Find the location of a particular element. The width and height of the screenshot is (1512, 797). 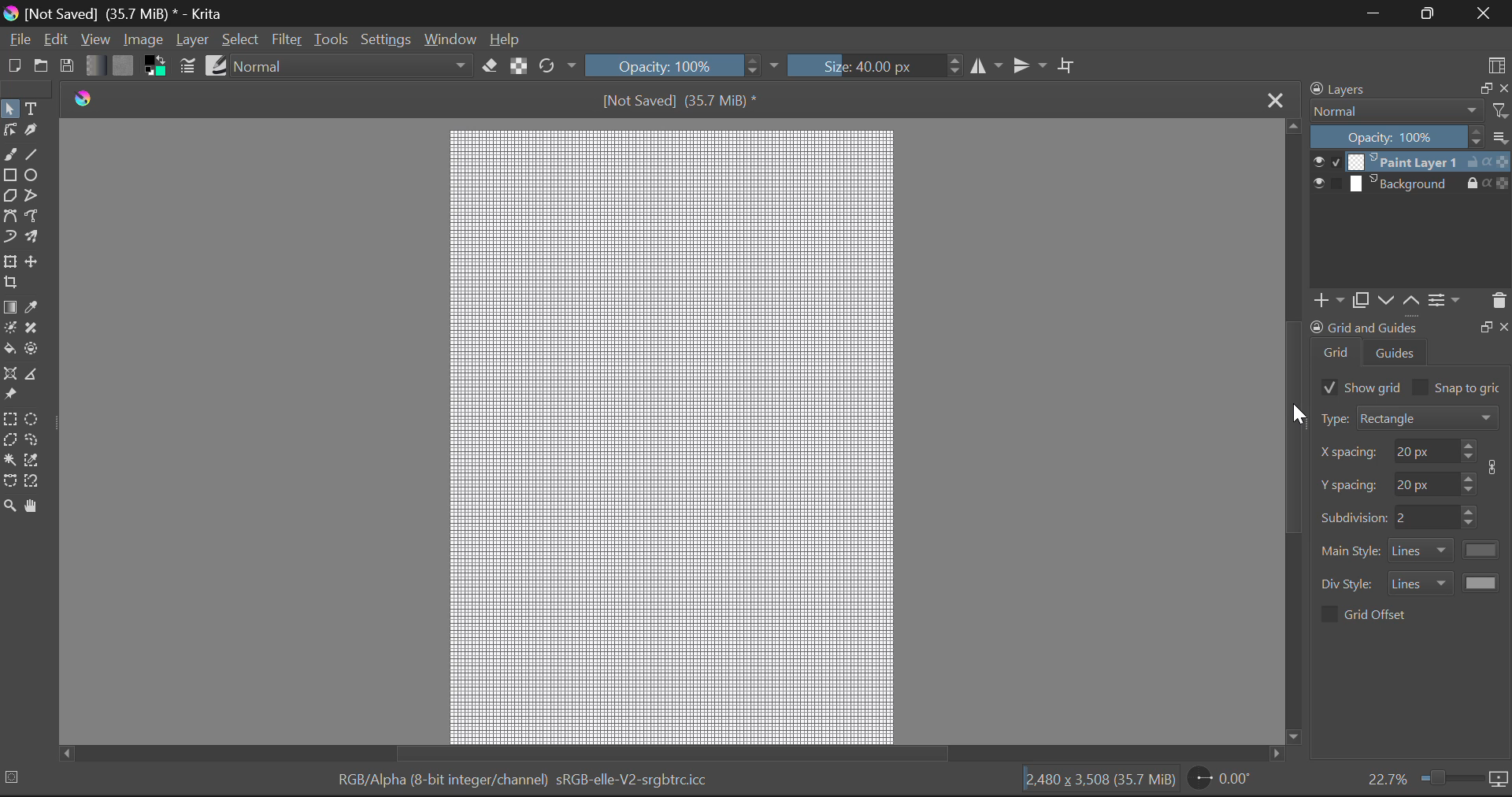

Vertical Mirror Flip is located at coordinates (987, 67).